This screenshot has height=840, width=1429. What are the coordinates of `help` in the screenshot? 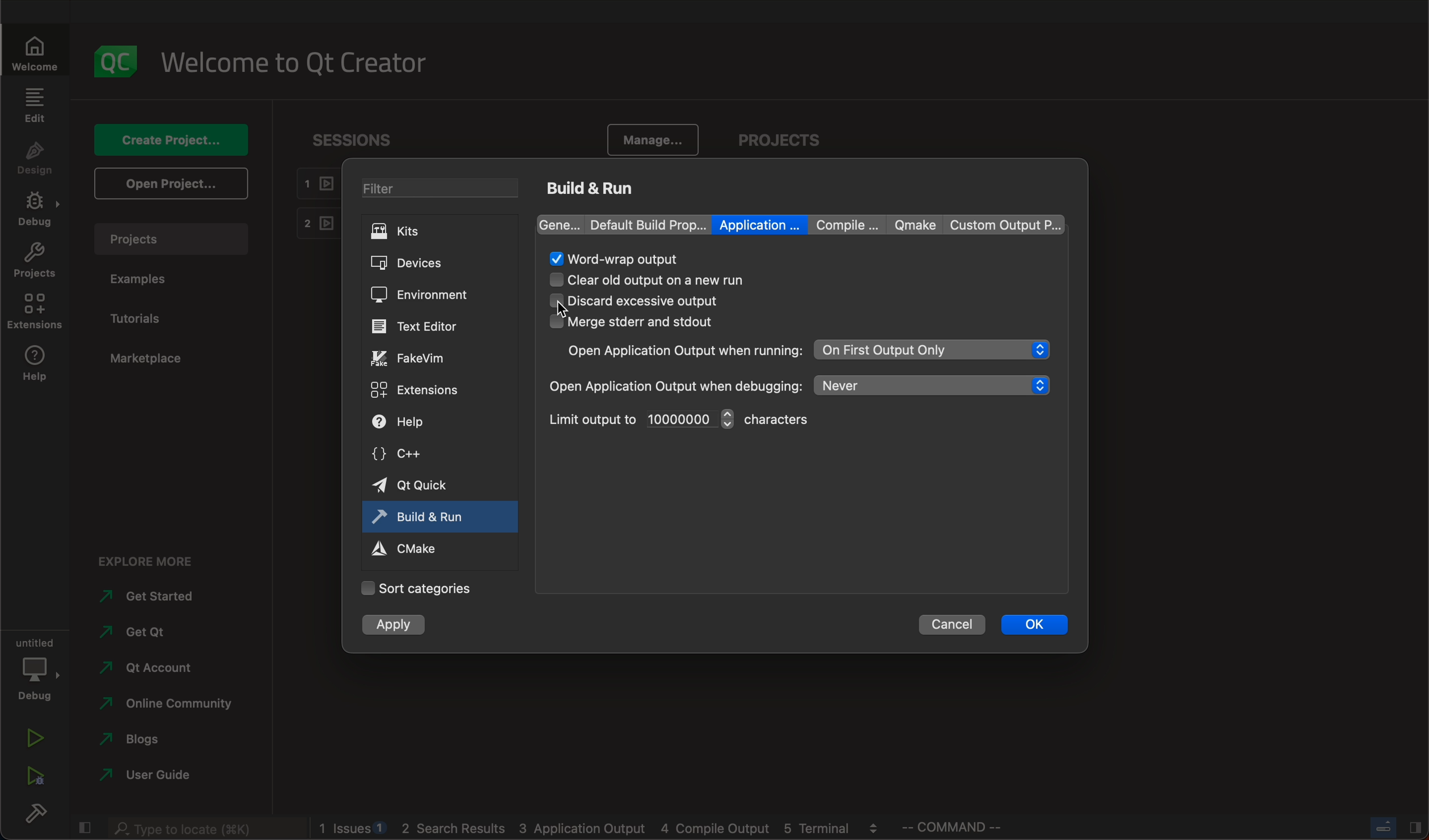 It's located at (428, 422).